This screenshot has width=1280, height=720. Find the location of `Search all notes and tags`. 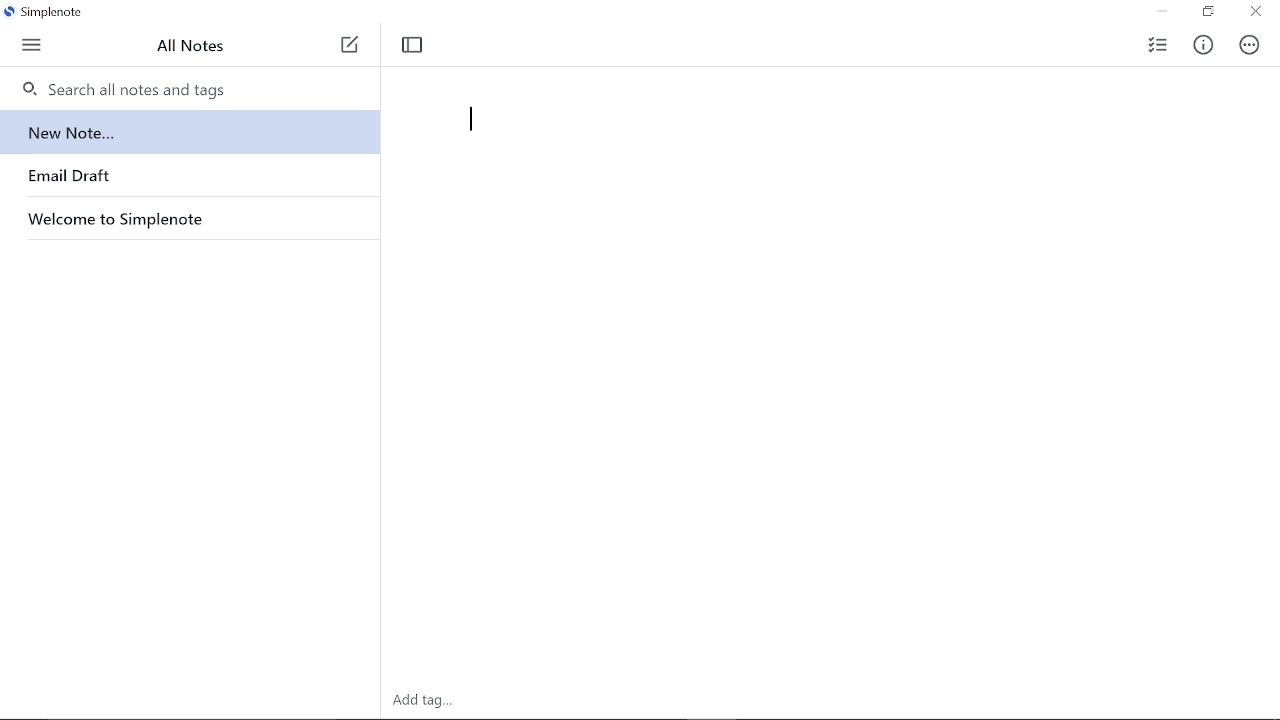

Search all notes and tags is located at coordinates (125, 90).